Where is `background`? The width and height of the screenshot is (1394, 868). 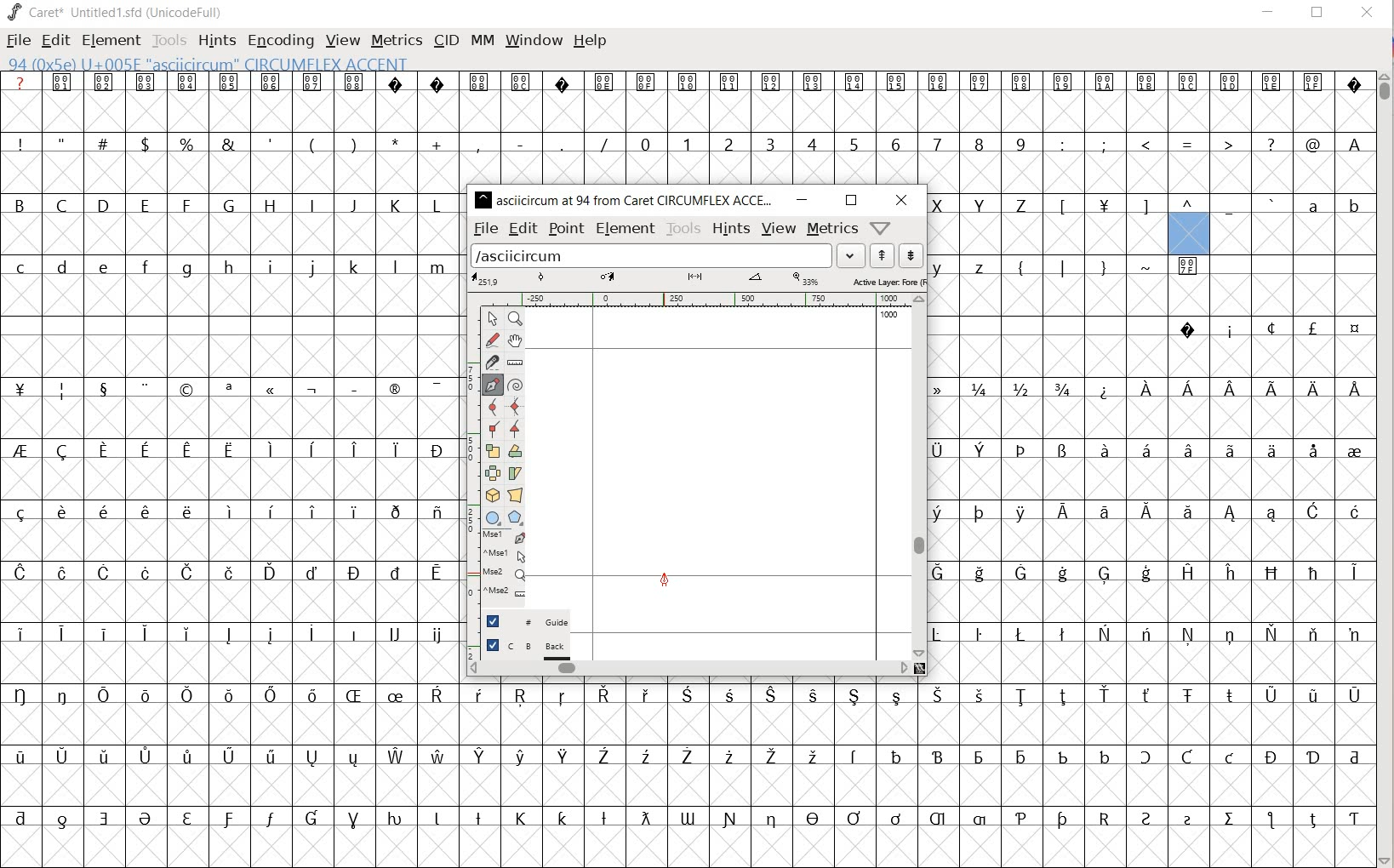 background is located at coordinates (528, 648).